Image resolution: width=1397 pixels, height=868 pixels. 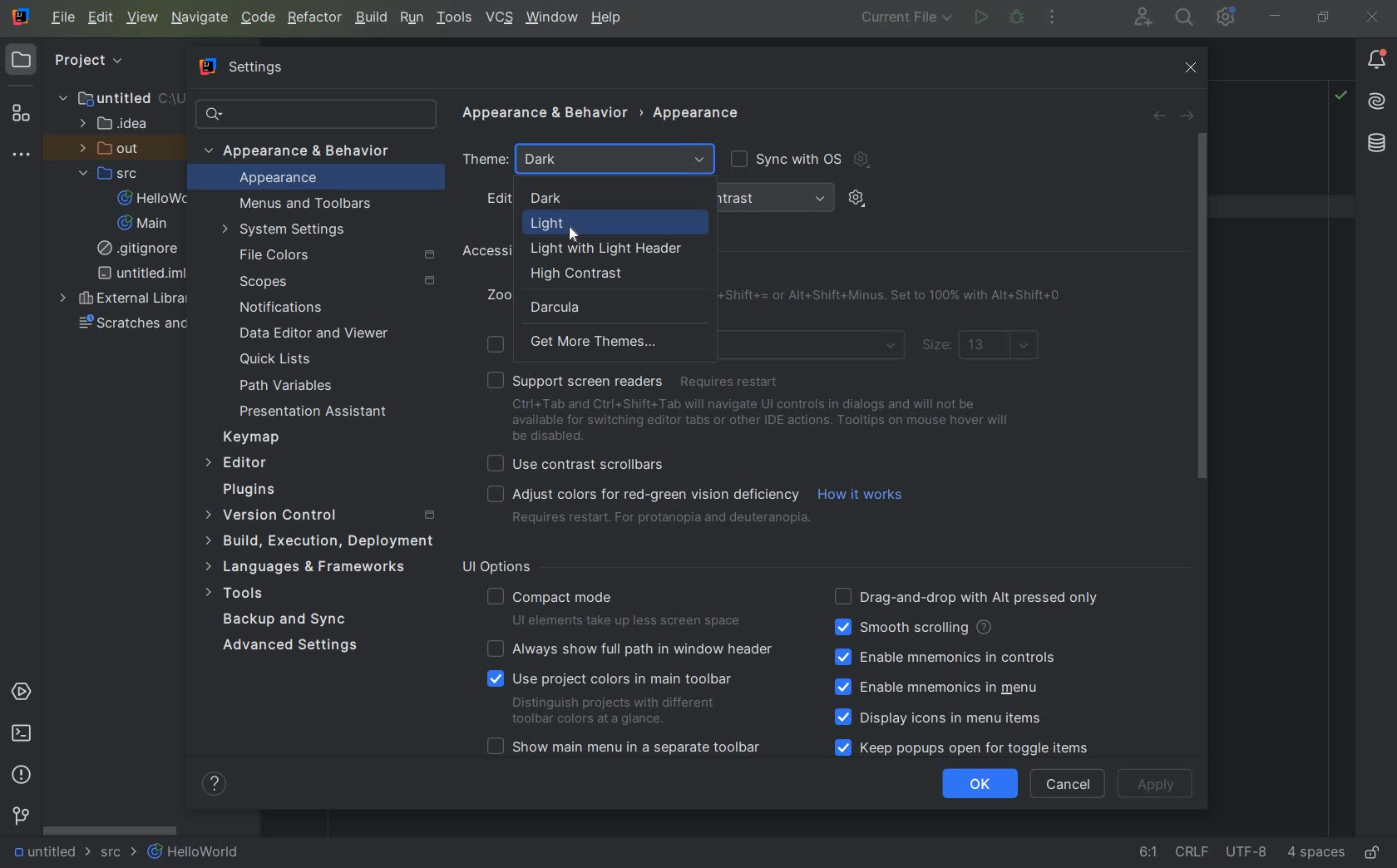 I want to click on restore, so click(x=1325, y=18).